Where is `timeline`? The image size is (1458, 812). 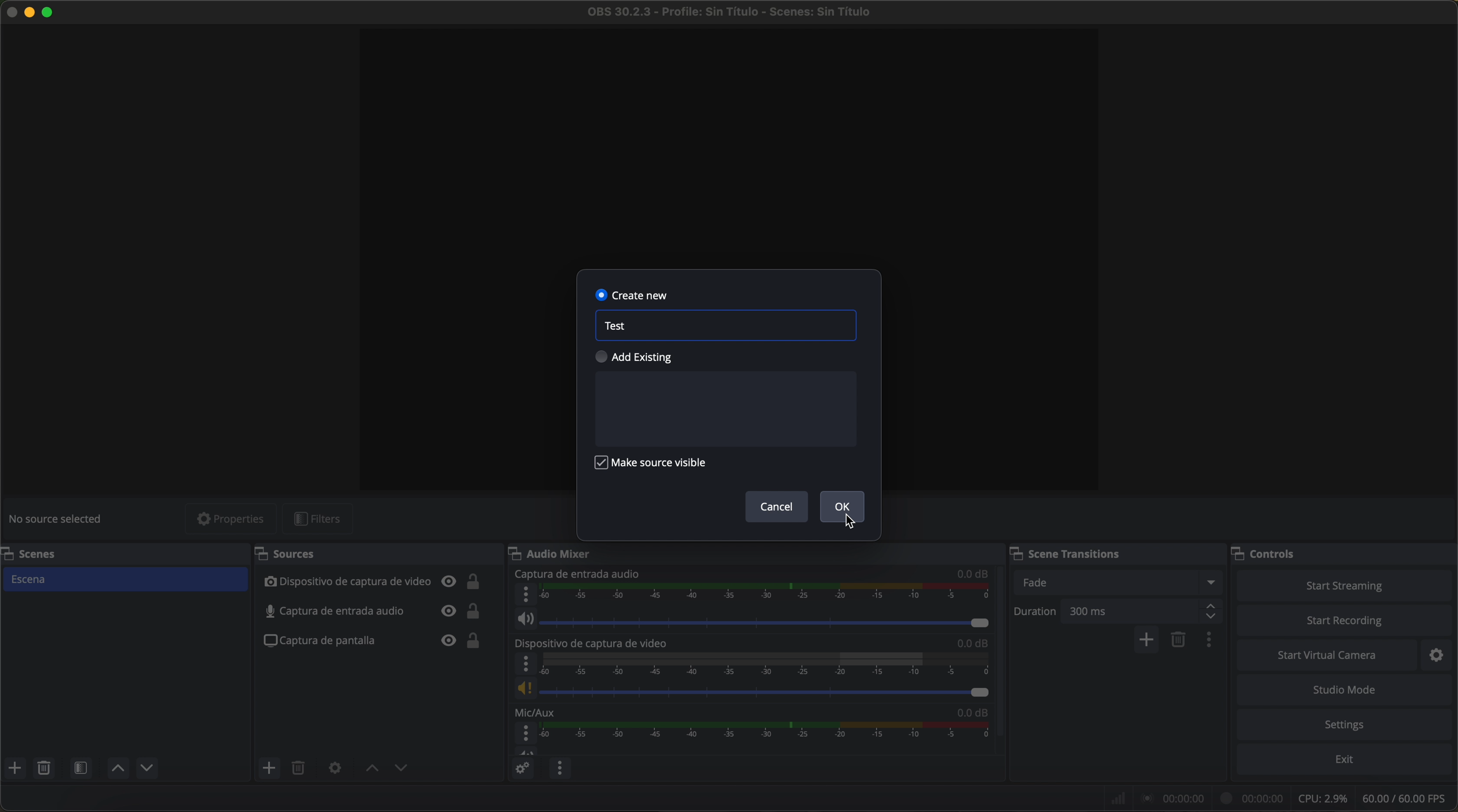 timeline is located at coordinates (766, 593).